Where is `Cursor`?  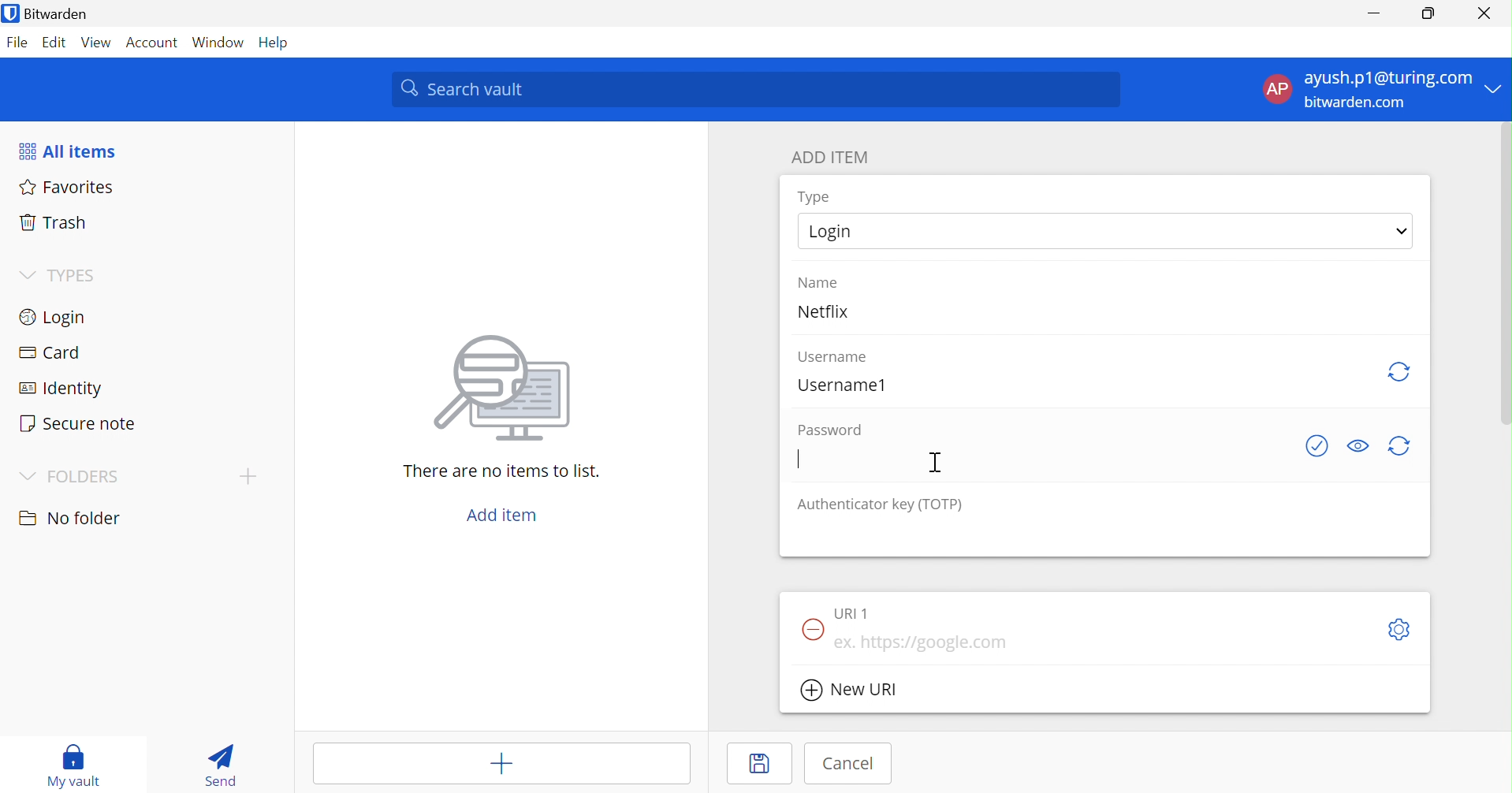
Cursor is located at coordinates (934, 463).